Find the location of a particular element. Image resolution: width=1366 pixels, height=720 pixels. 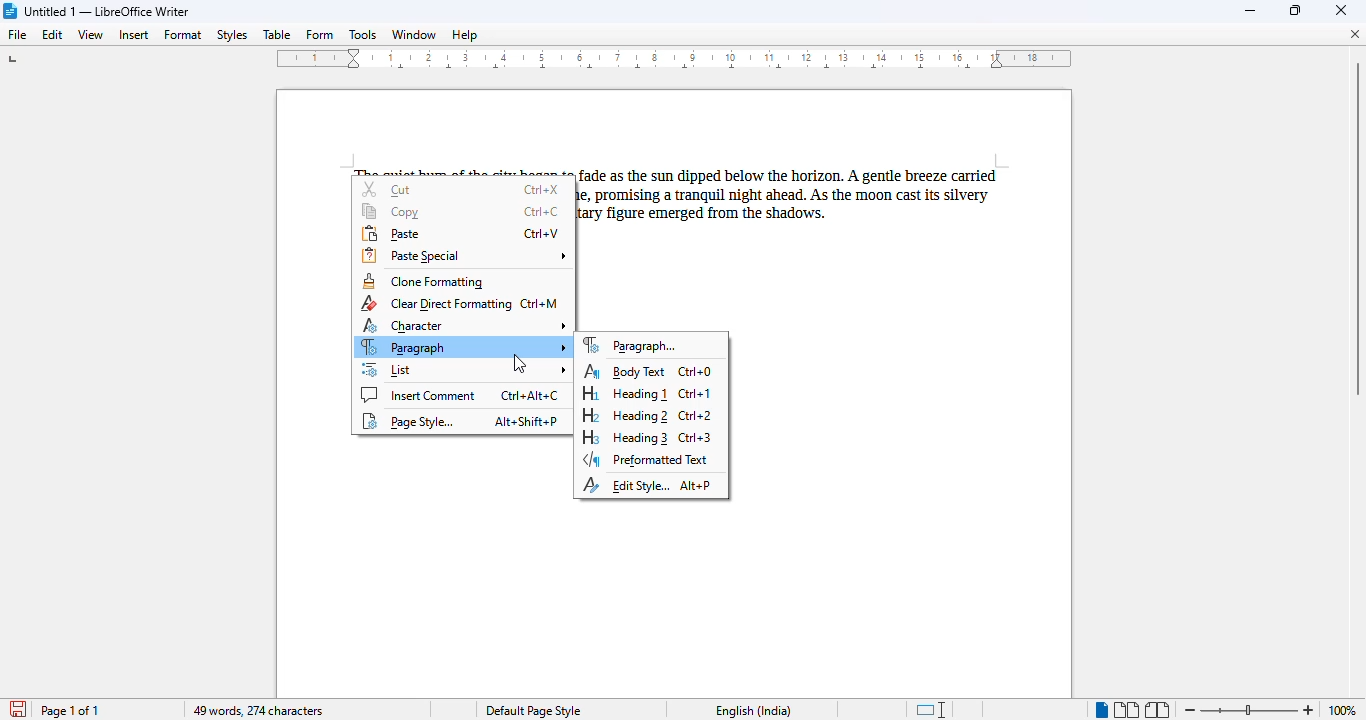

paragraph is located at coordinates (629, 345).